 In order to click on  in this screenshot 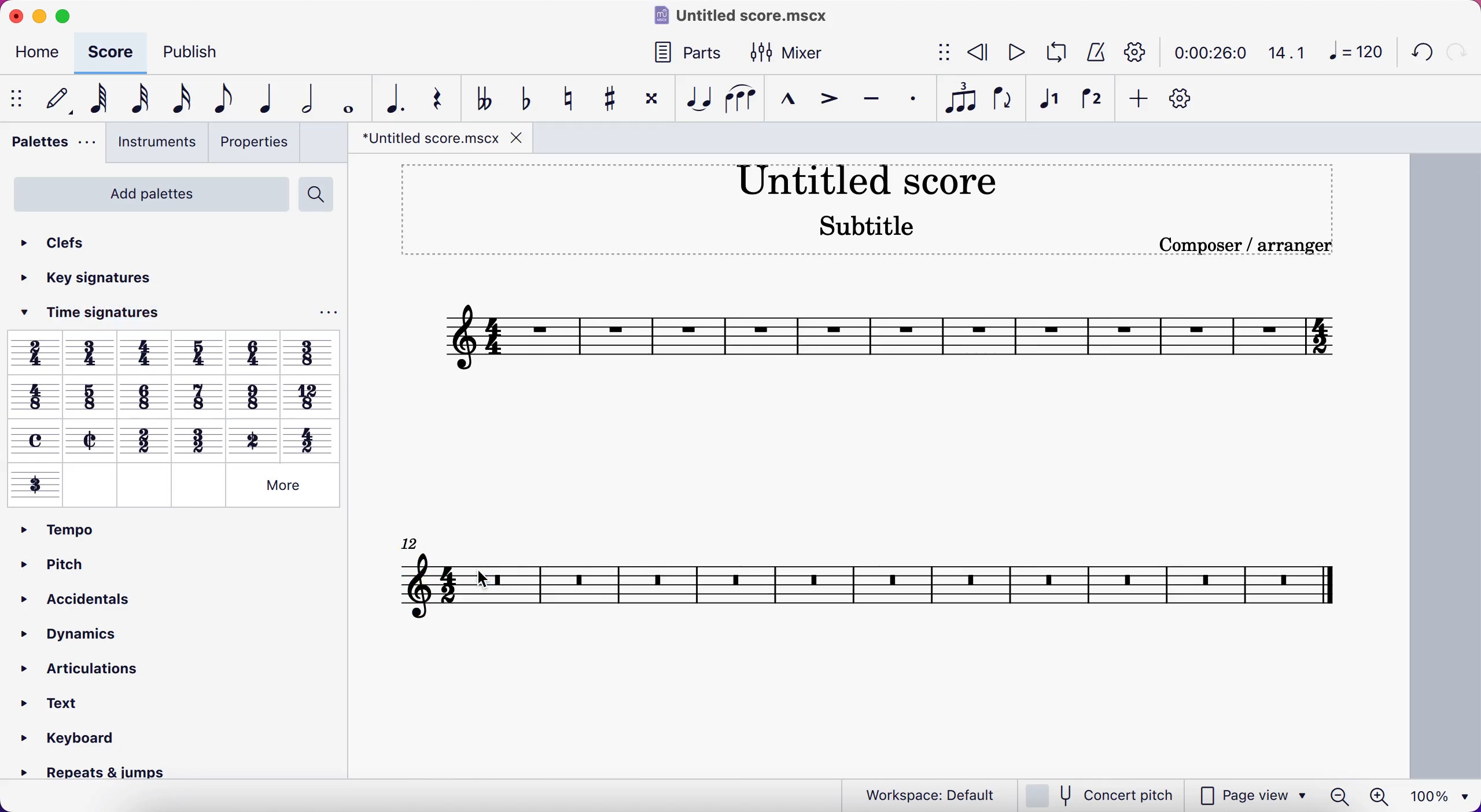, I will do `click(310, 394)`.